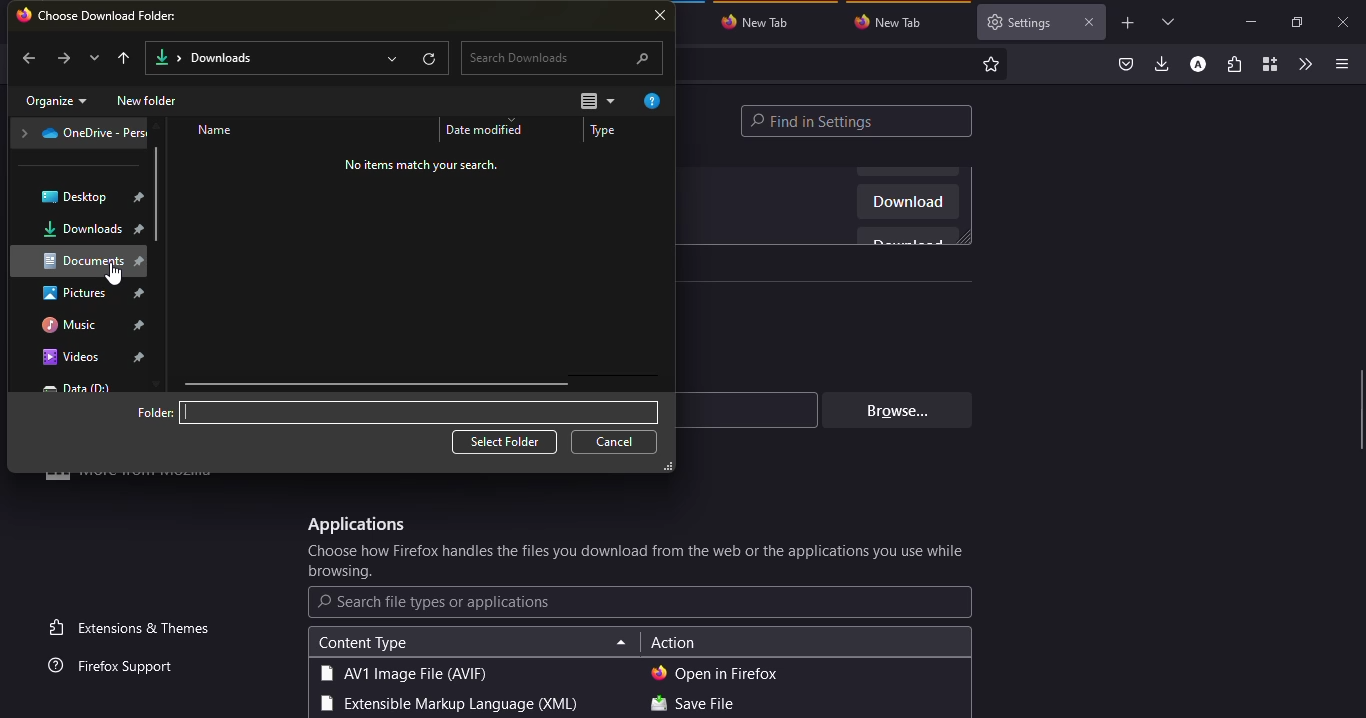  What do you see at coordinates (894, 22) in the screenshot?
I see `tab` at bounding box center [894, 22].